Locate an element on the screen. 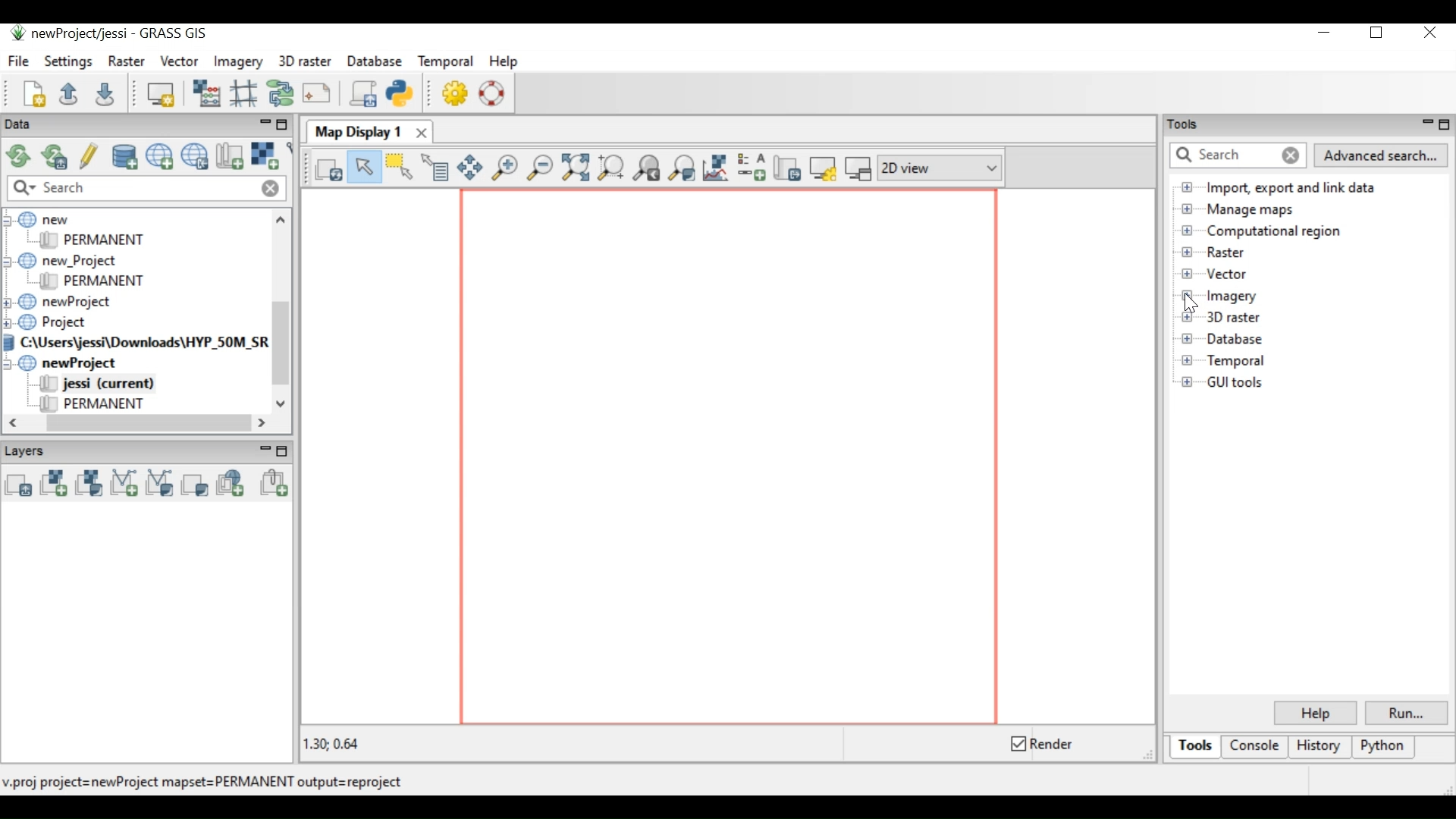 Image resolution: width=1456 pixels, height=819 pixels. Add various vector map layer is located at coordinates (160, 484).